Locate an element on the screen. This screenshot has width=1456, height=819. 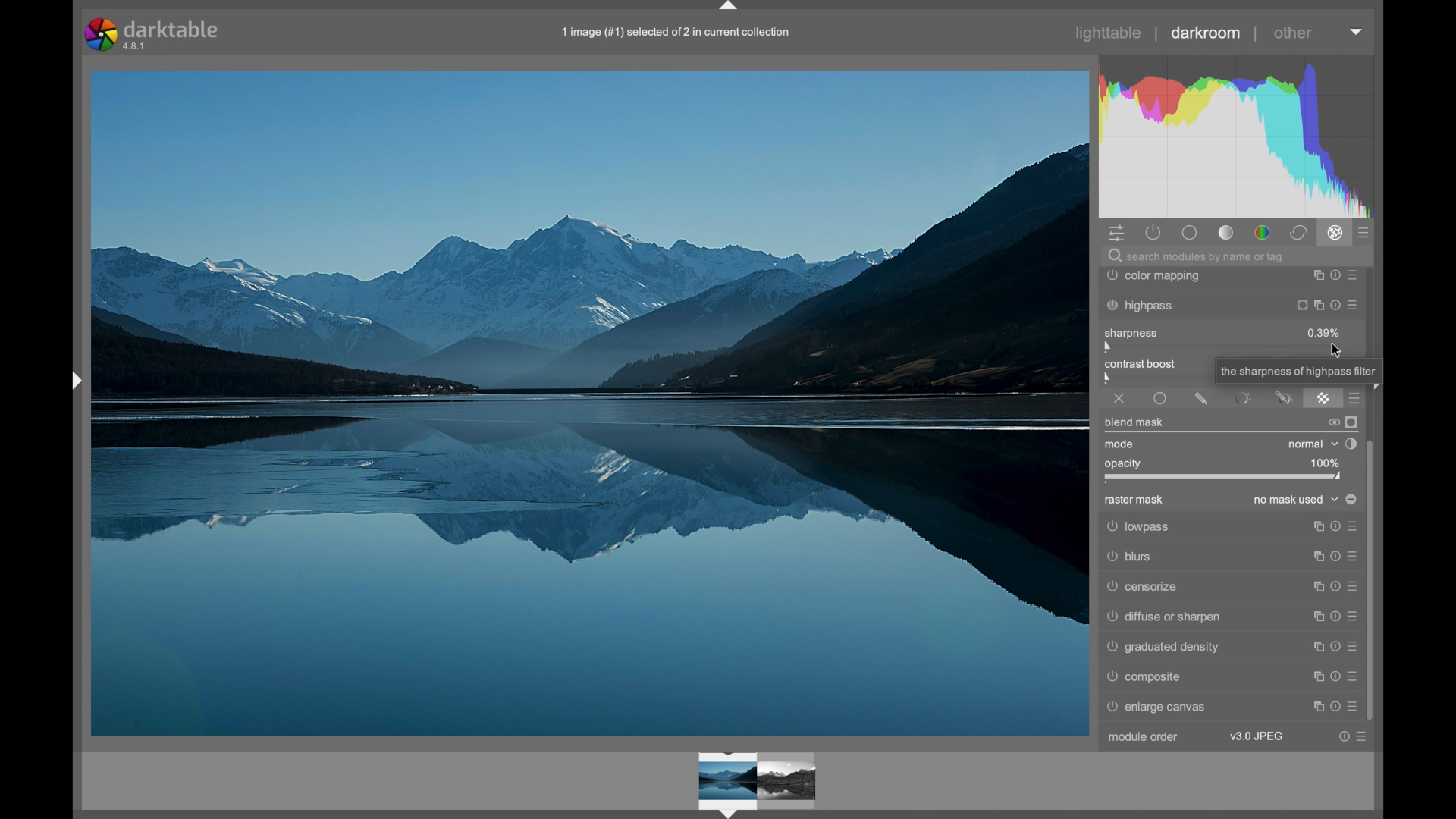
slider is located at coordinates (1224, 477).